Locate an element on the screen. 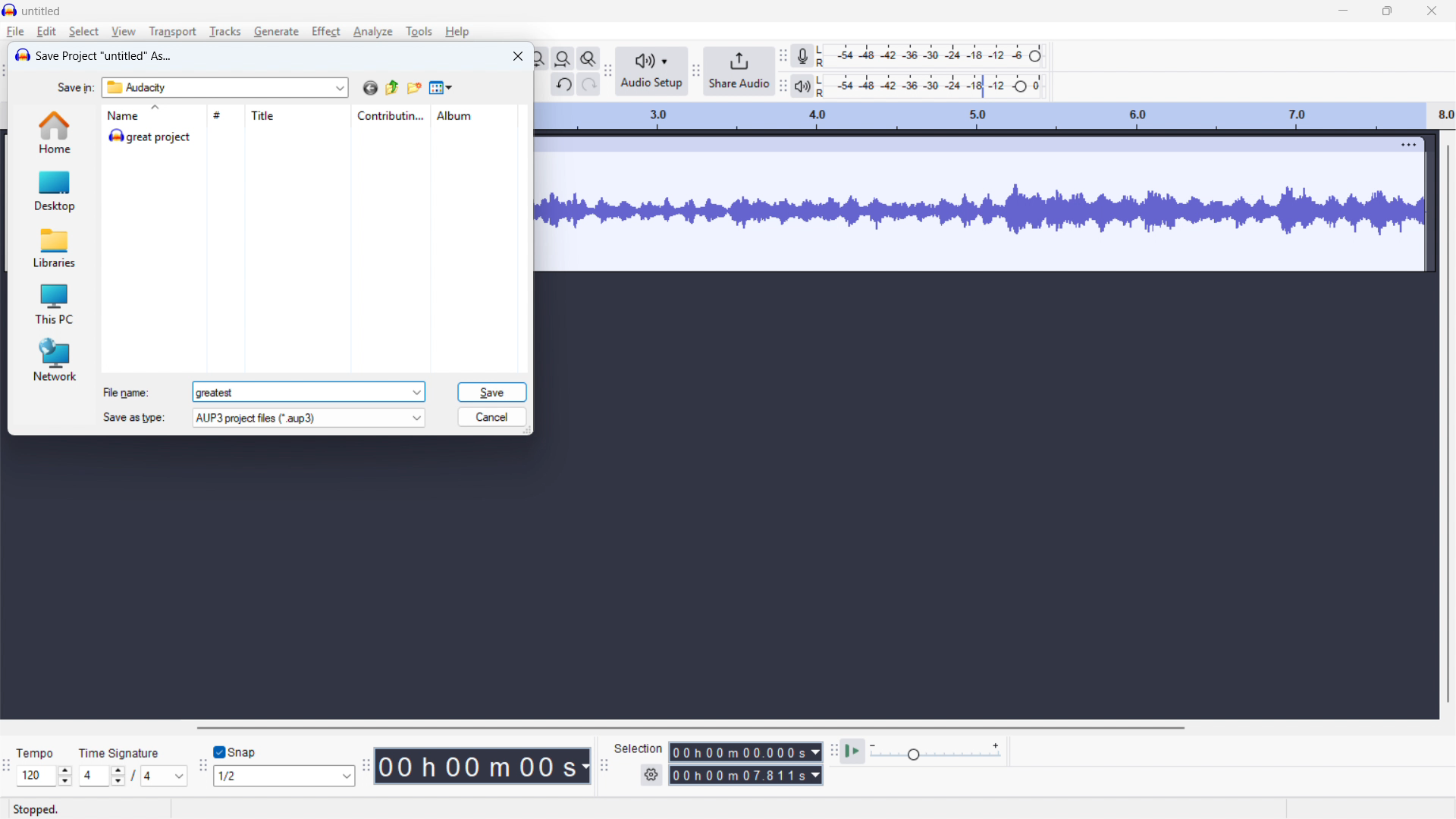 This screenshot has height=819, width=1456. analyse is located at coordinates (373, 32).